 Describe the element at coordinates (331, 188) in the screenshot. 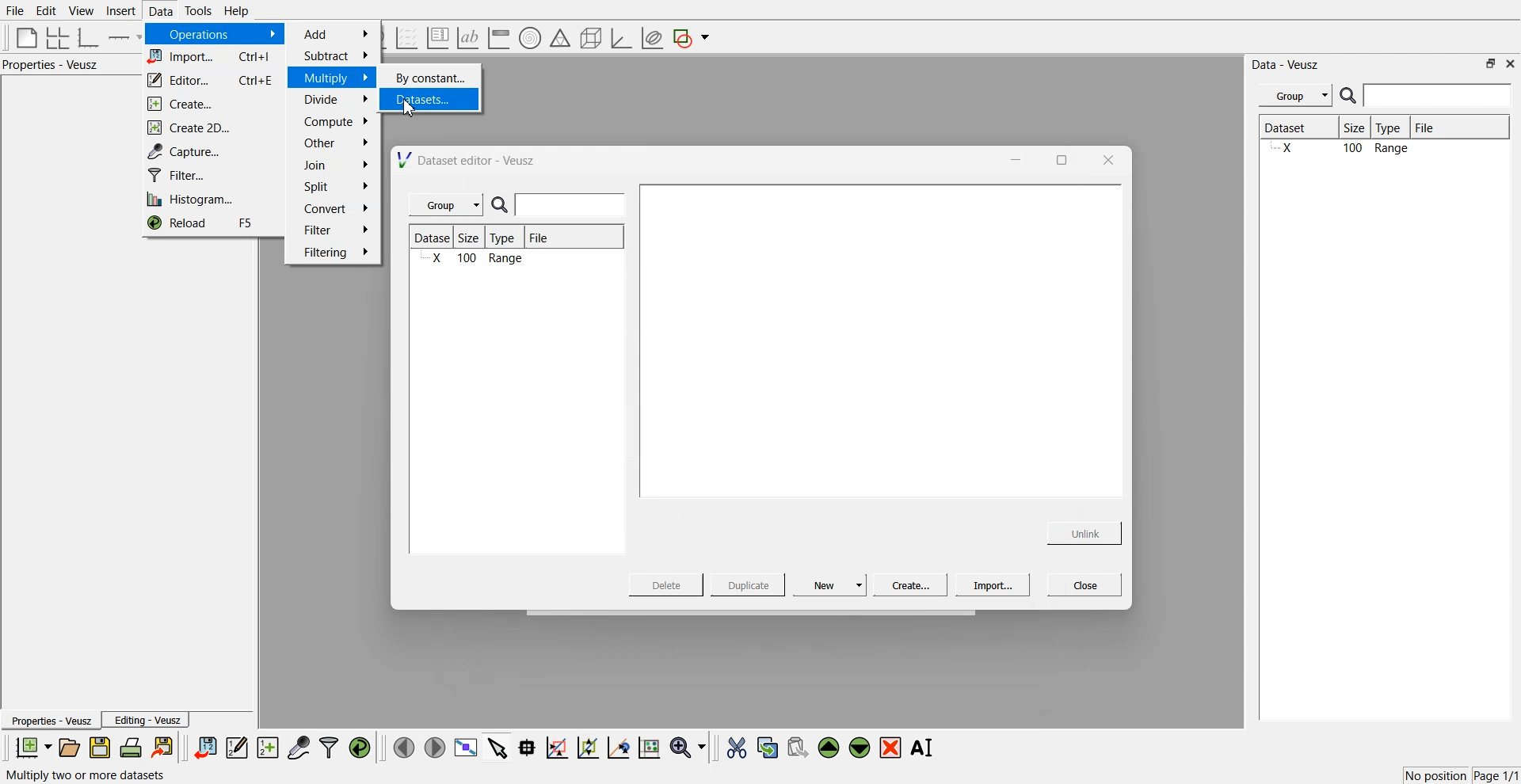

I see `Split` at that location.